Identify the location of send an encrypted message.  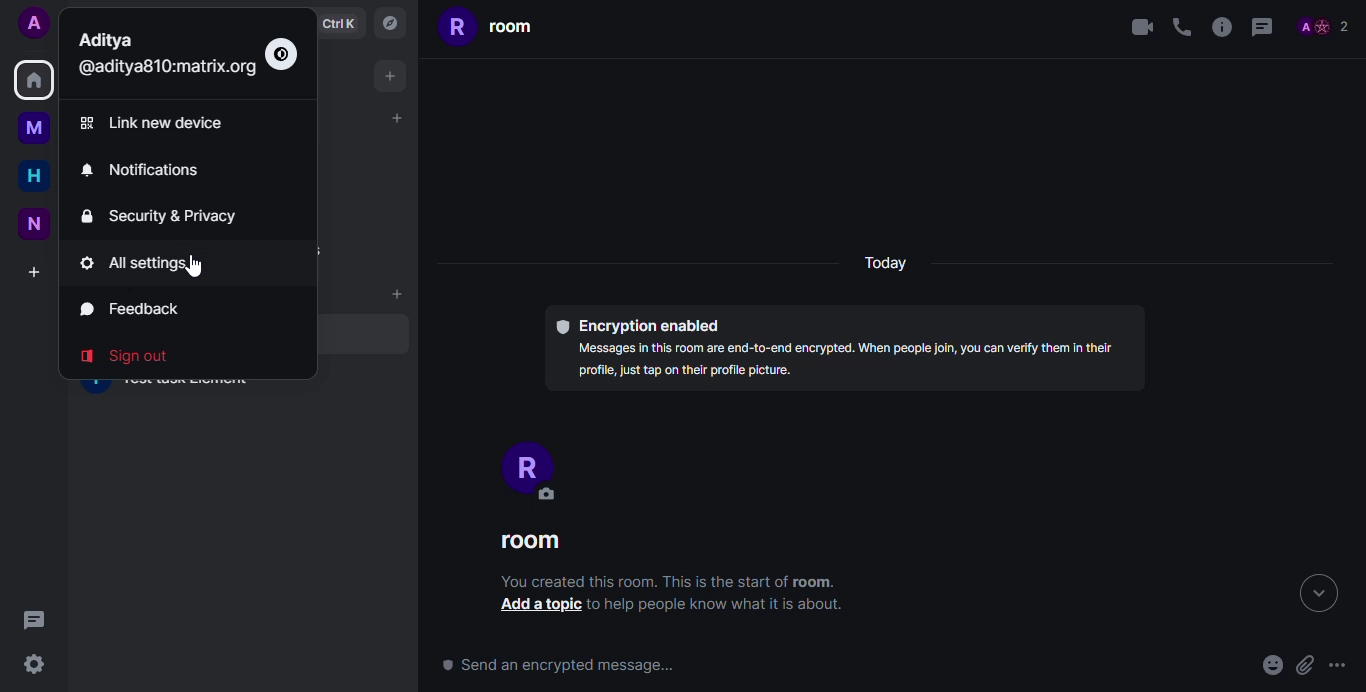
(559, 666).